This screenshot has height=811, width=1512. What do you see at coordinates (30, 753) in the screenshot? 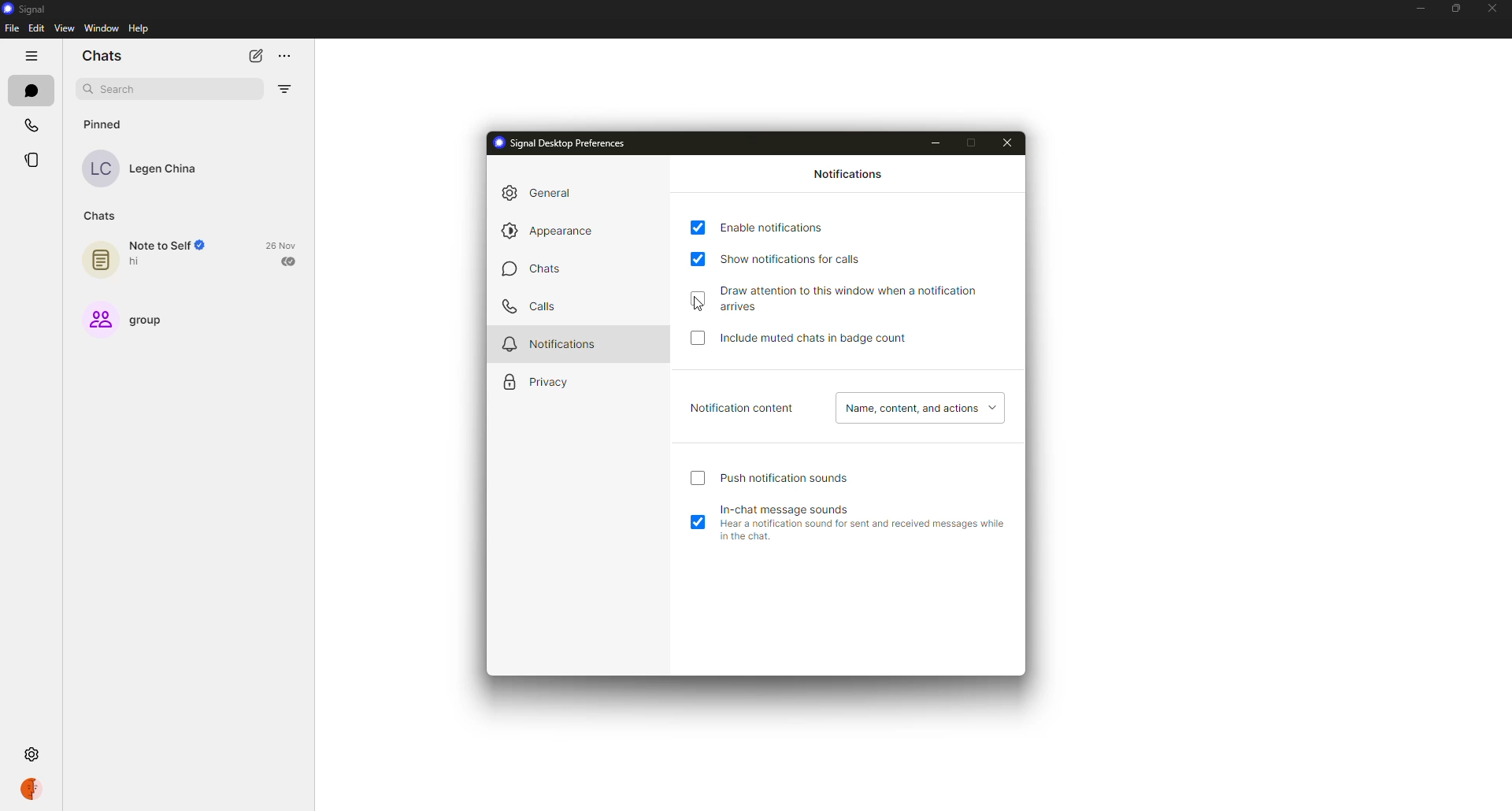
I see `settings` at bounding box center [30, 753].